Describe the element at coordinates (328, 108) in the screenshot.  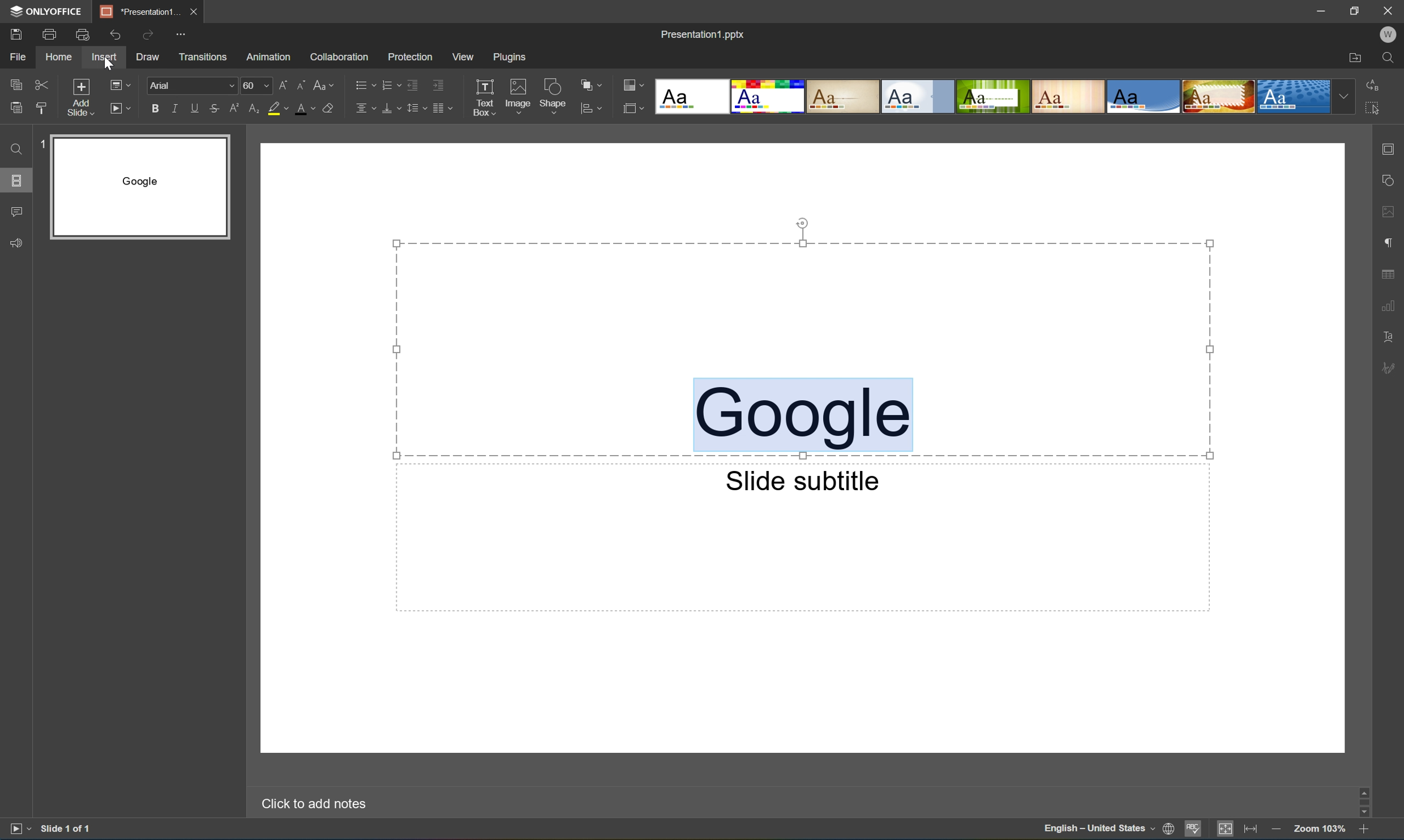
I see `Clear style` at that location.